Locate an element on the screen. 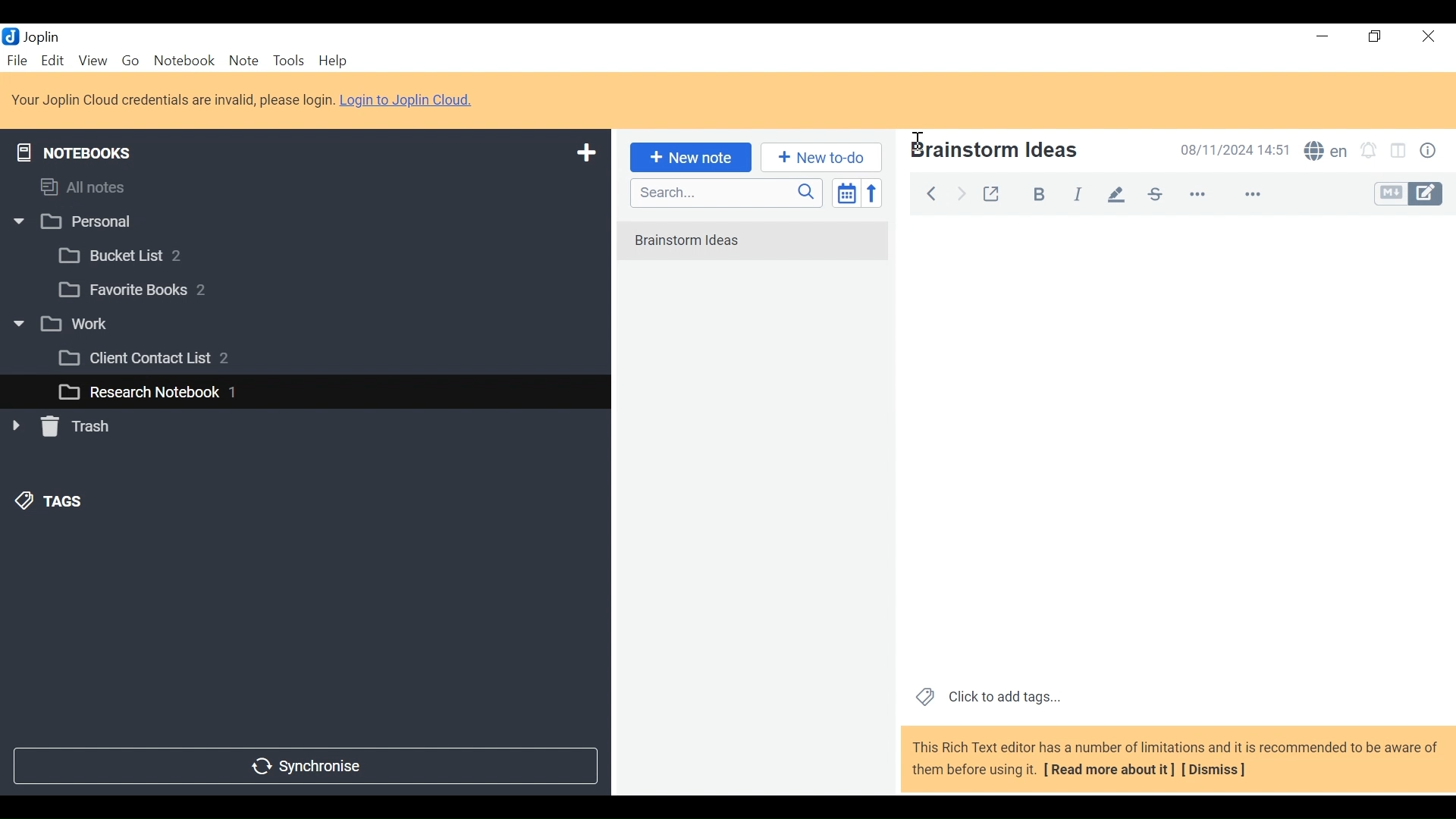  No notes in here. Create one by clicking
on "New note". is located at coordinates (757, 250).